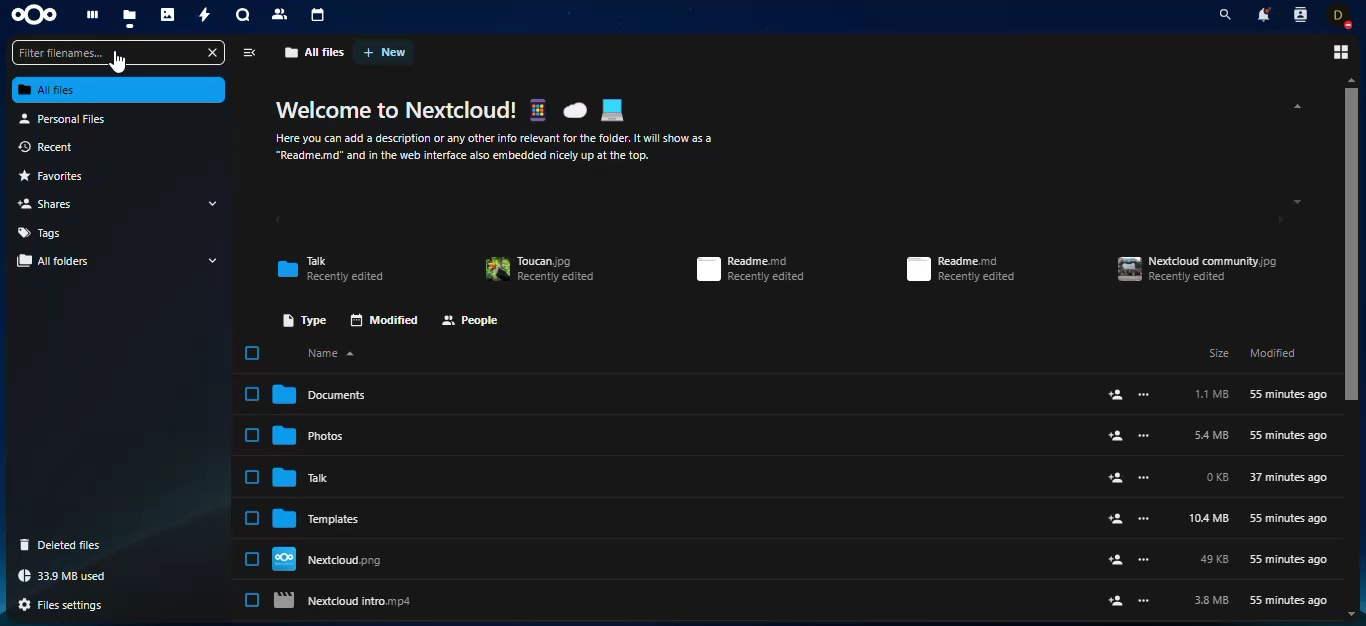 The width and height of the screenshot is (1366, 626). What do you see at coordinates (281, 14) in the screenshot?
I see `contact` at bounding box center [281, 14].